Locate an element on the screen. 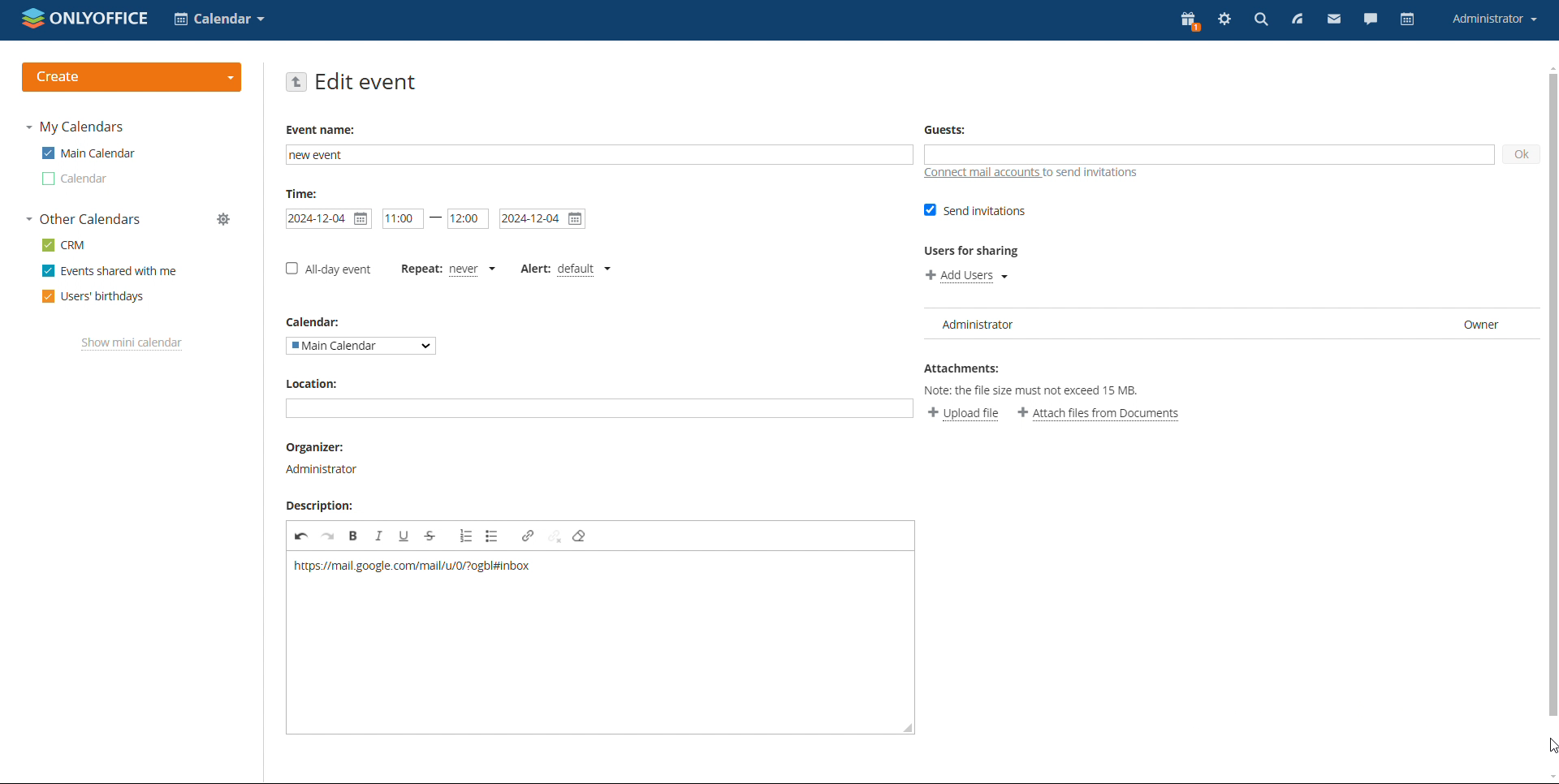 The width and height of the screenshot is (1559, 784). default  is located at coordinates (582, 266).